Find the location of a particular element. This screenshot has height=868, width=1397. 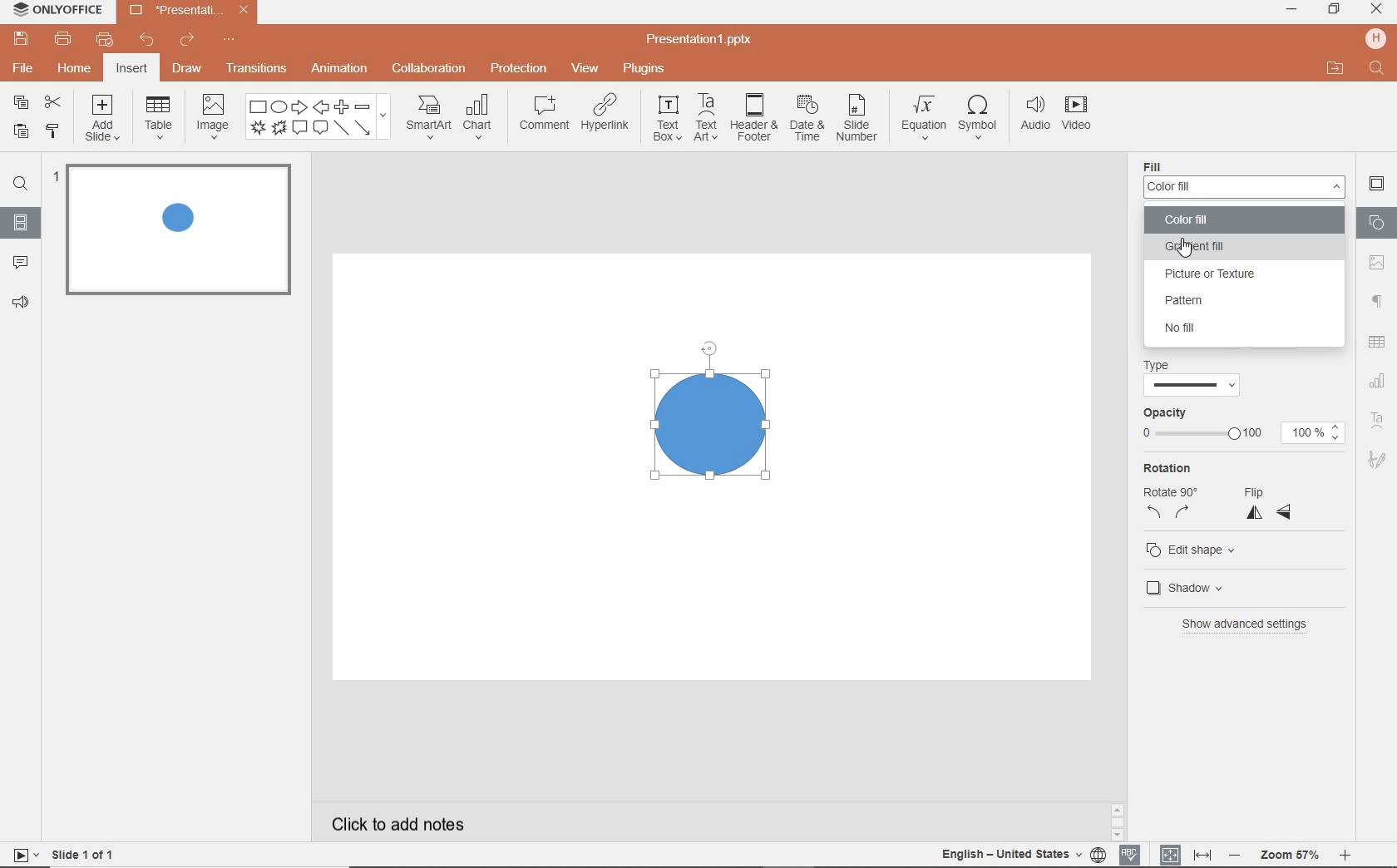

file name is located at coordinates (700, 41).